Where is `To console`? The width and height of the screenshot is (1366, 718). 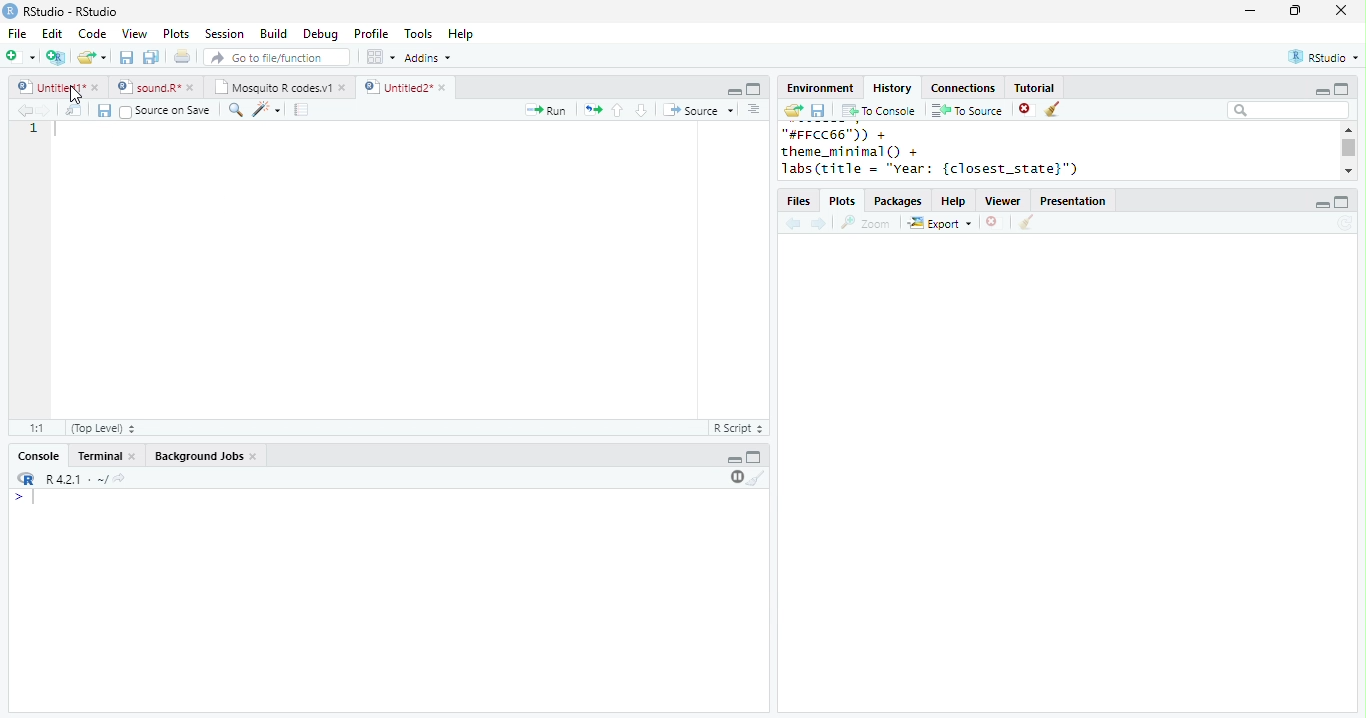 To console is located at coordinates (879, 111).